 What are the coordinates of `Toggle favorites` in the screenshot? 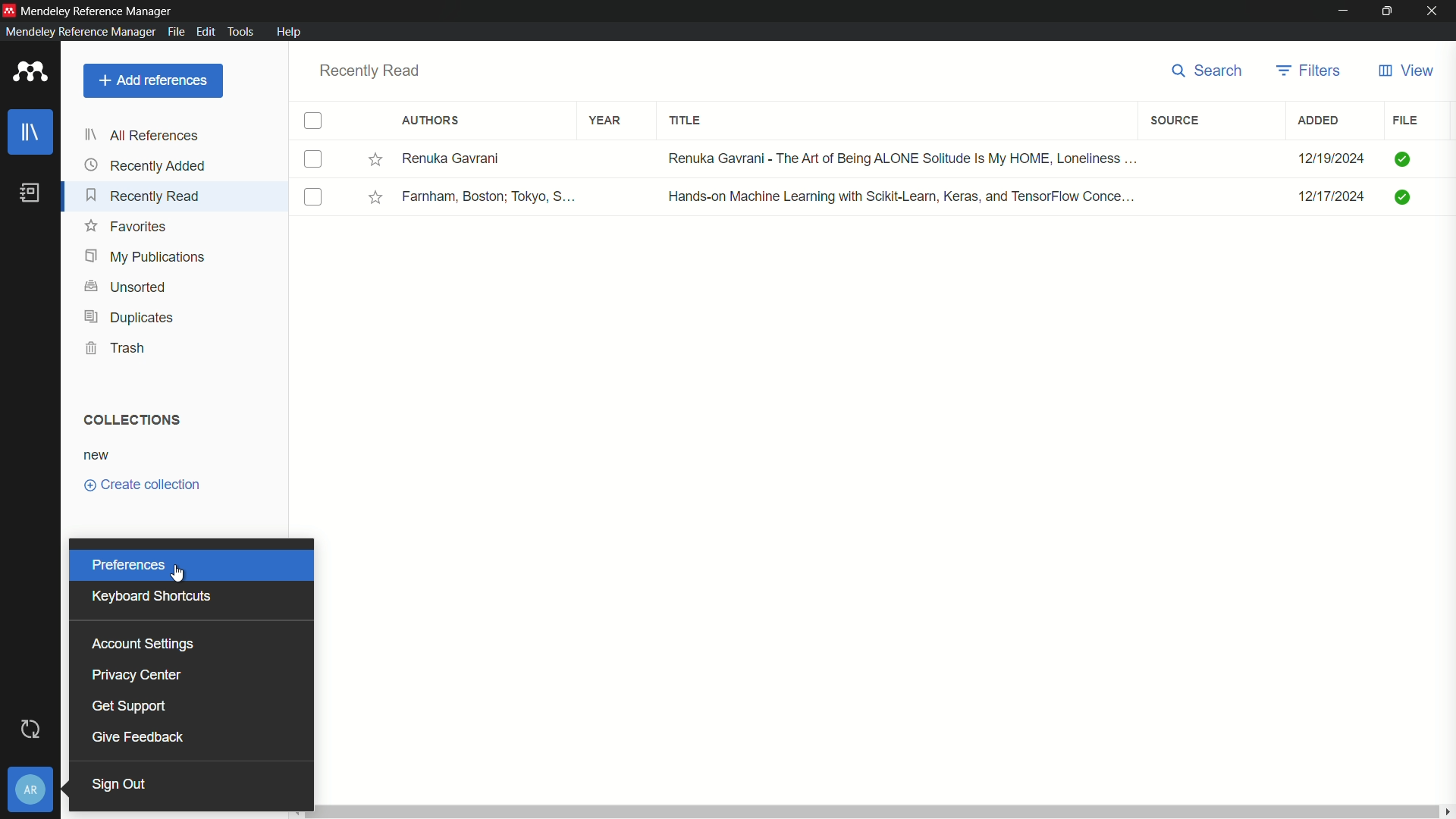 It's located at (375, 158).